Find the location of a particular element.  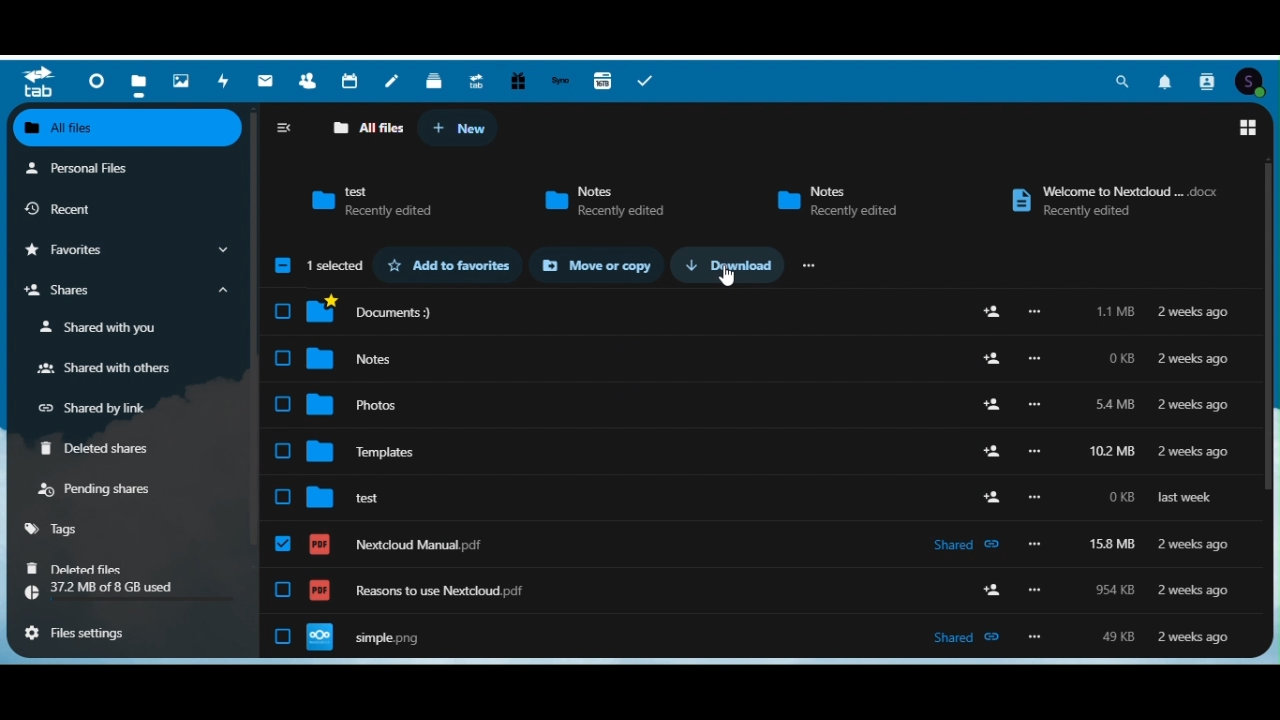

Calendar is located at coordinates (350, 80).